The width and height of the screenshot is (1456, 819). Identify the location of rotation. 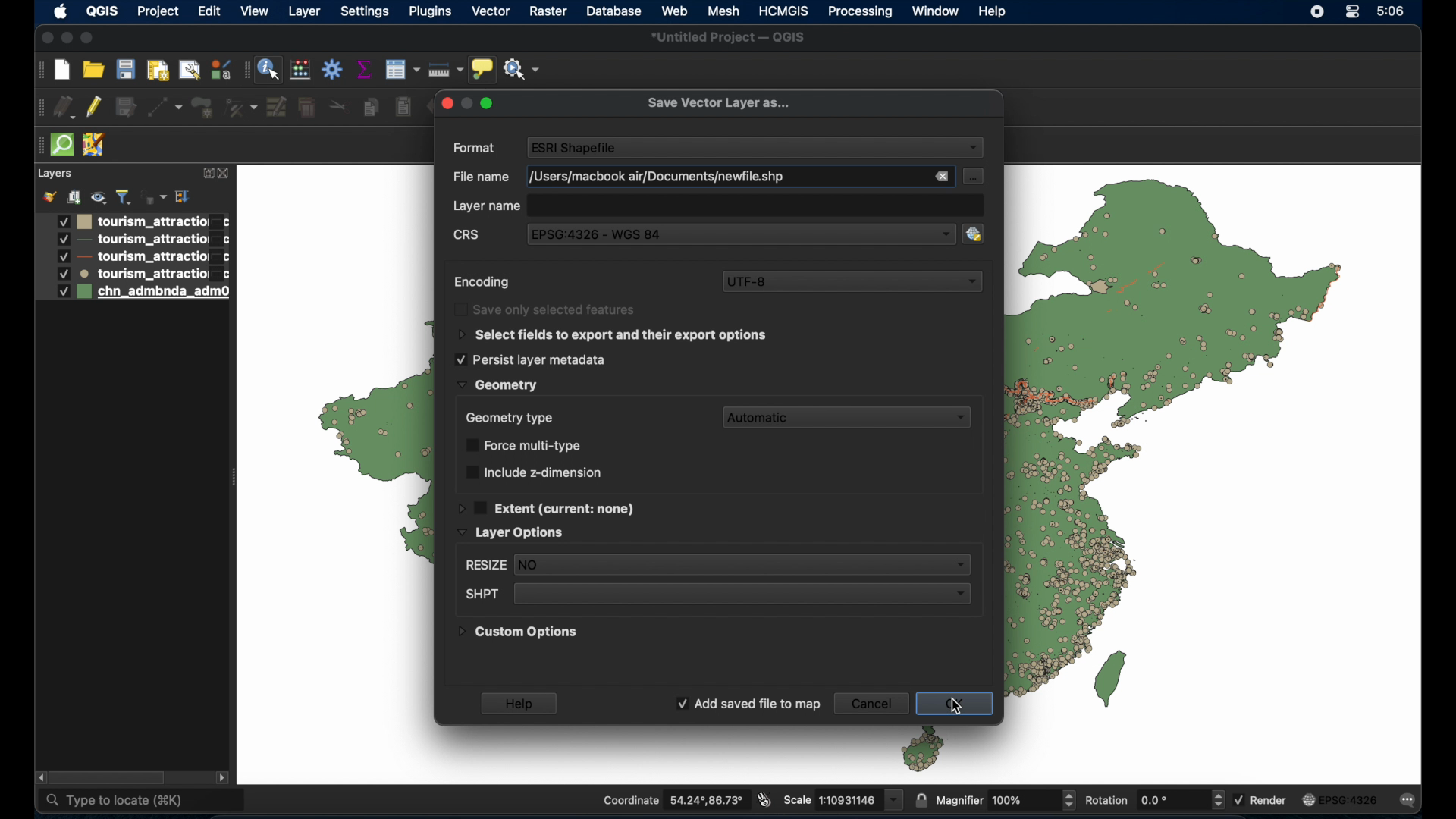
(1153, 799).